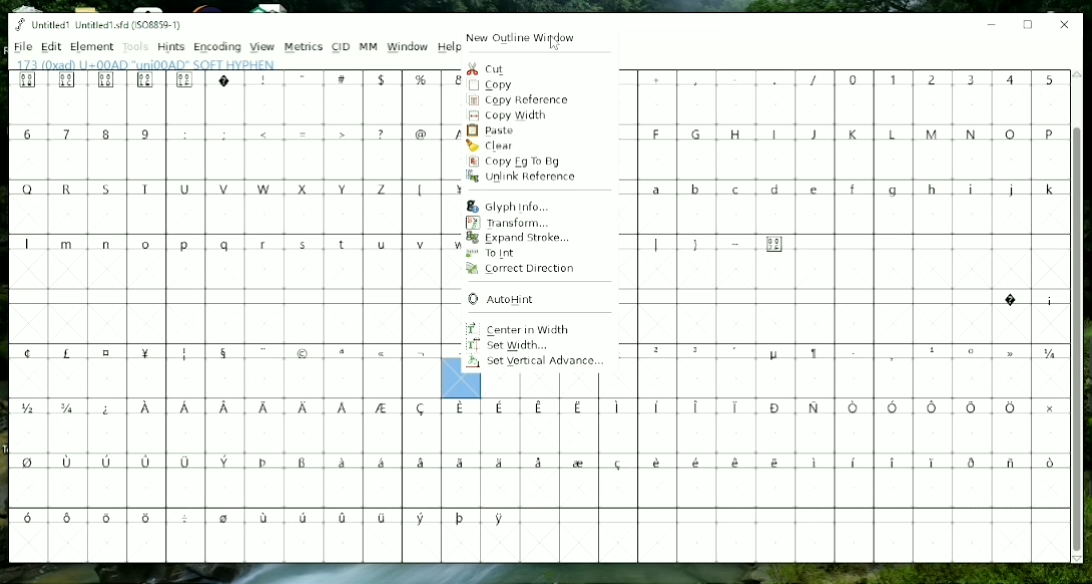 The image size is (1092, 584). What do you see at coordinates (308, 134) in the screenshot?
I see `Symbols` at bounding box center [308, 134].